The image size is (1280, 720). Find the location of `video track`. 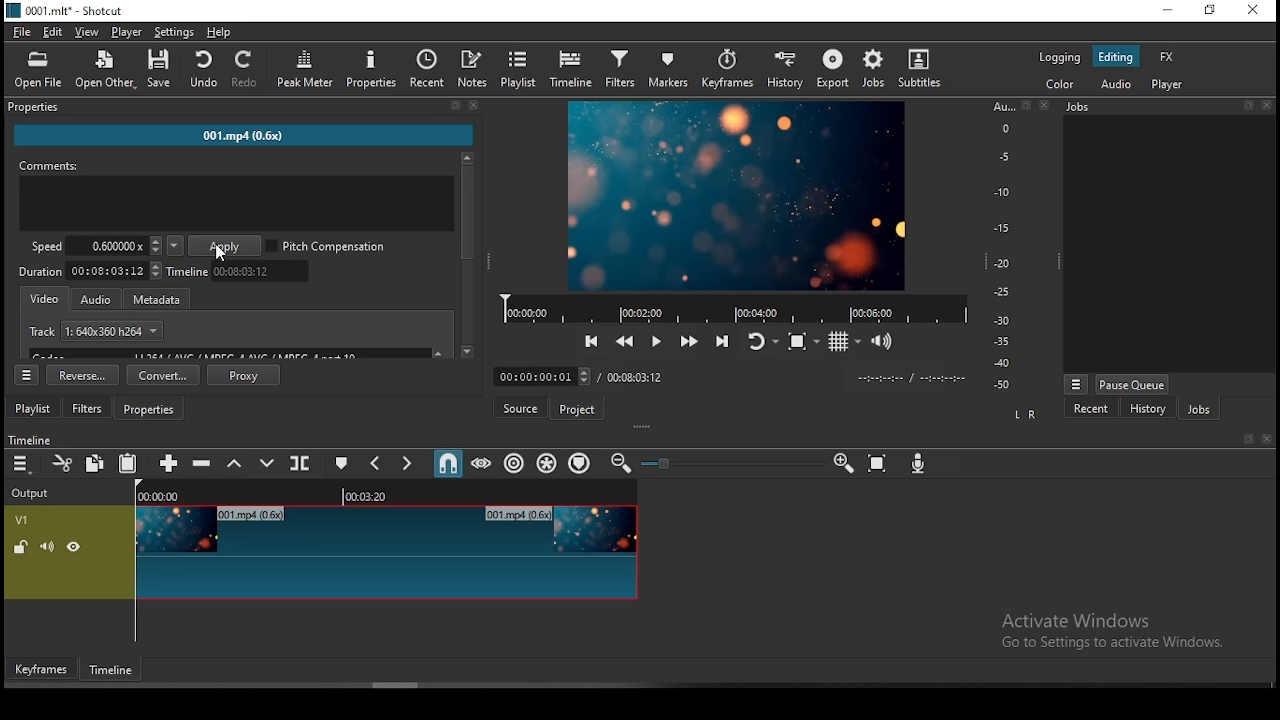

video track is located at coordinates (388, 550).